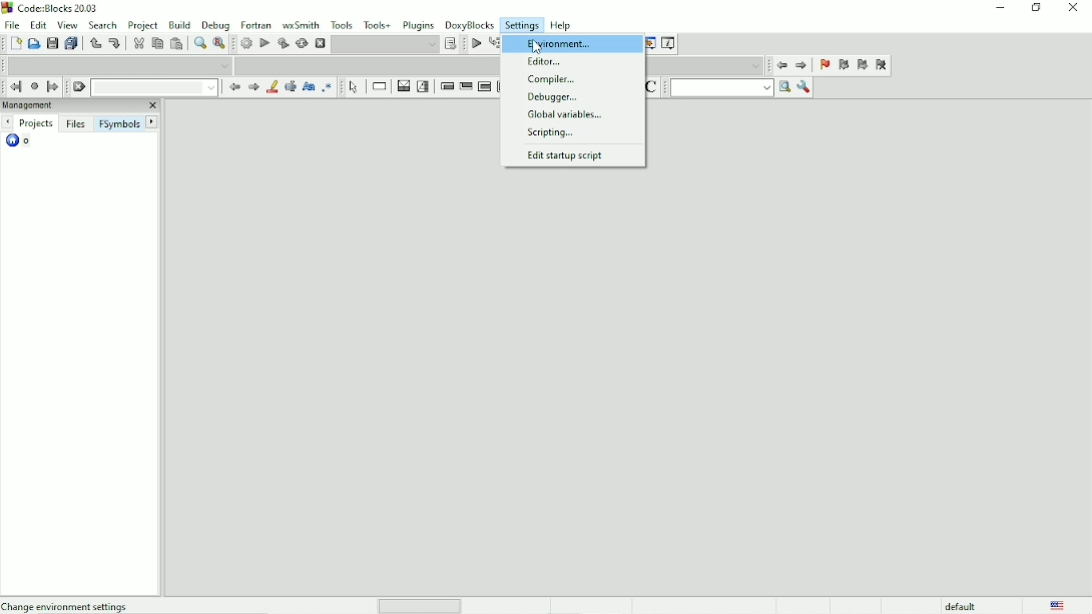 The width and height of the screenshot is (1092, 614). What do you see at coordinates (721, 87) in the screenshot?
I see `run search` at bounding box center [721, 87].